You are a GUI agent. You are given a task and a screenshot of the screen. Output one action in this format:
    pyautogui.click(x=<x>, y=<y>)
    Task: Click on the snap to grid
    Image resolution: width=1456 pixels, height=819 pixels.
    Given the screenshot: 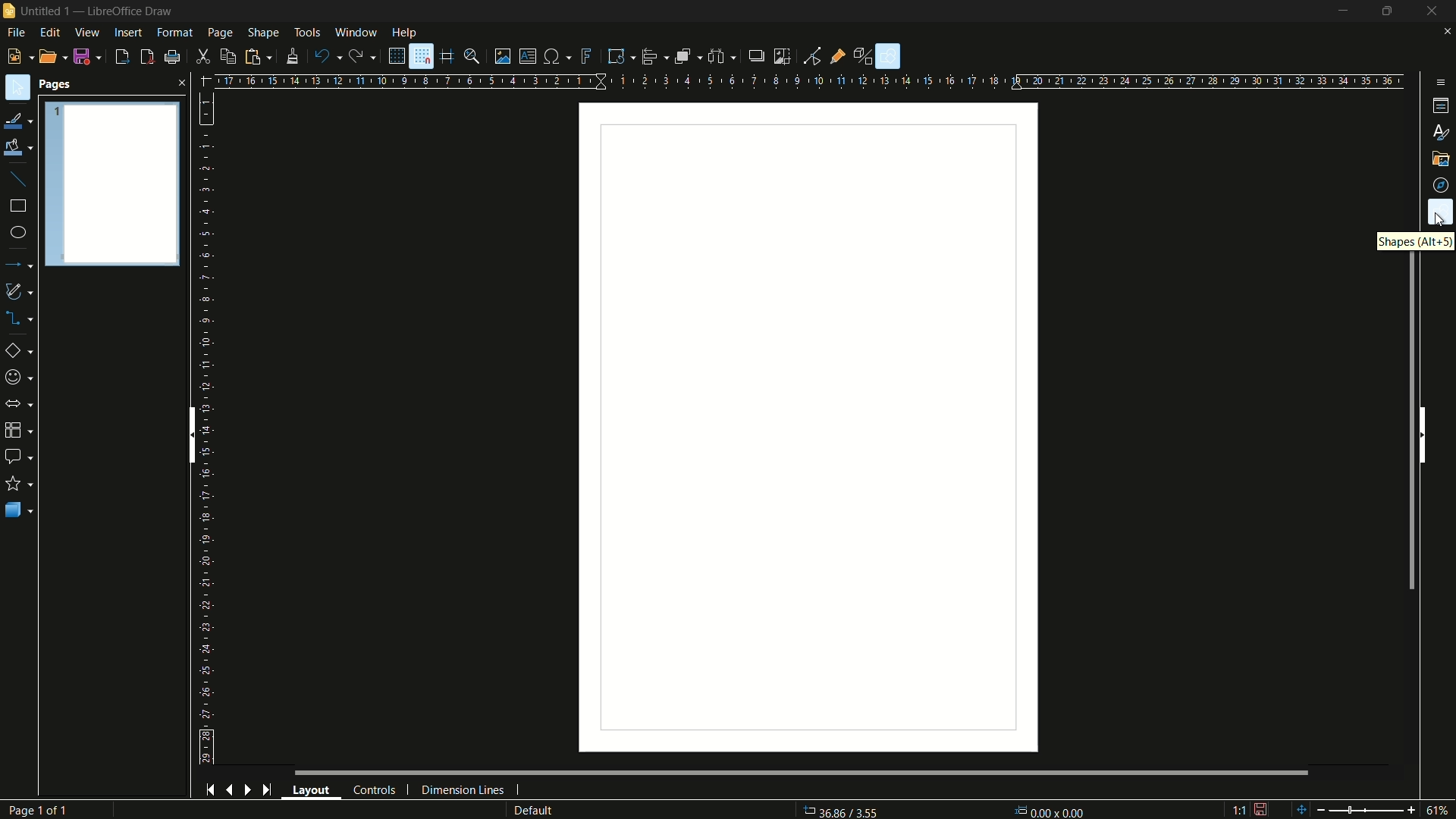 What is the action you would take?
    pyautogui.click(x=421, y=56)
    